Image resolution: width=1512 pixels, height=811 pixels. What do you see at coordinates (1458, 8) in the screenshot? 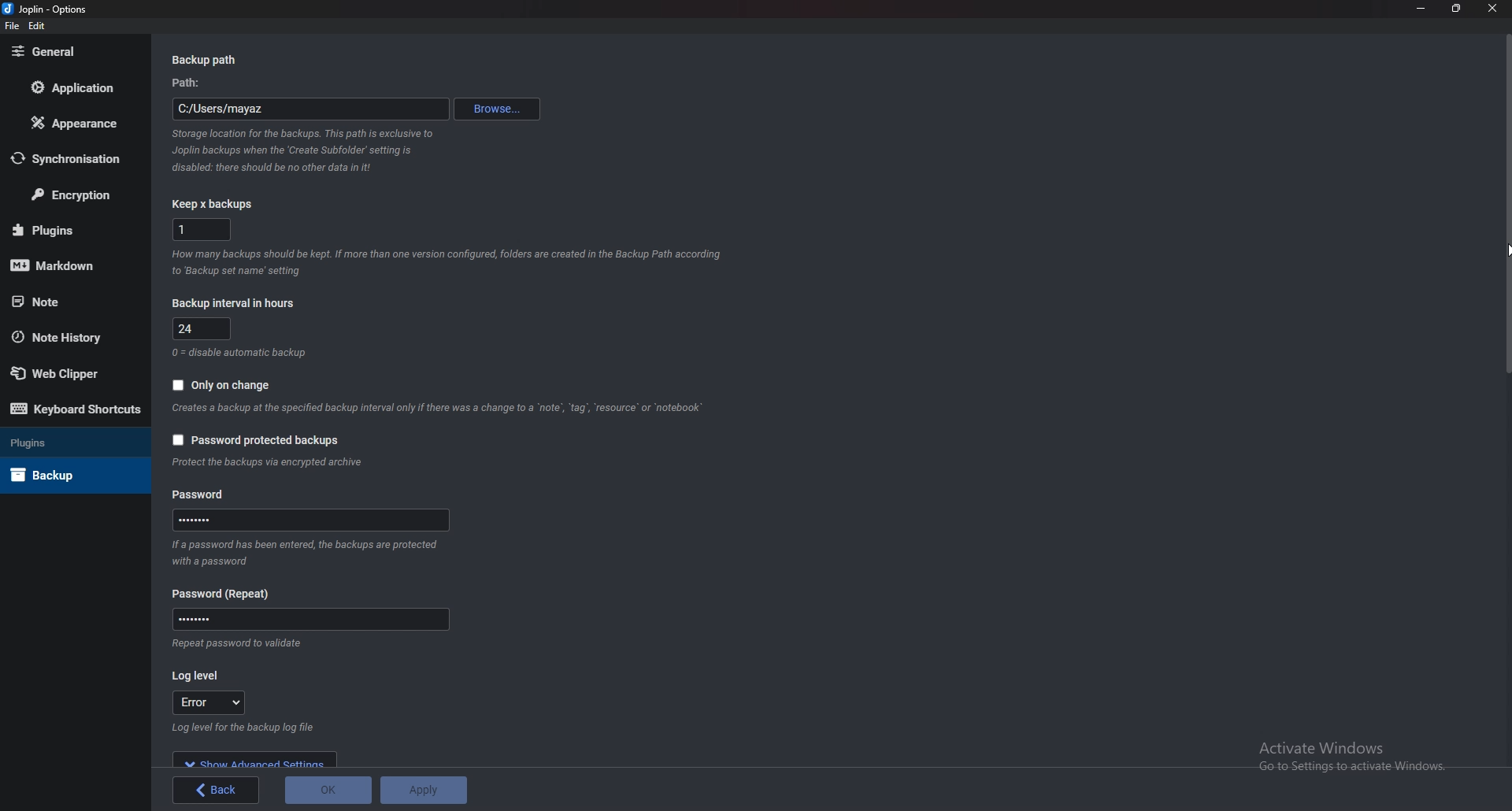
I see `resize` at bounding box center [1458, 8].